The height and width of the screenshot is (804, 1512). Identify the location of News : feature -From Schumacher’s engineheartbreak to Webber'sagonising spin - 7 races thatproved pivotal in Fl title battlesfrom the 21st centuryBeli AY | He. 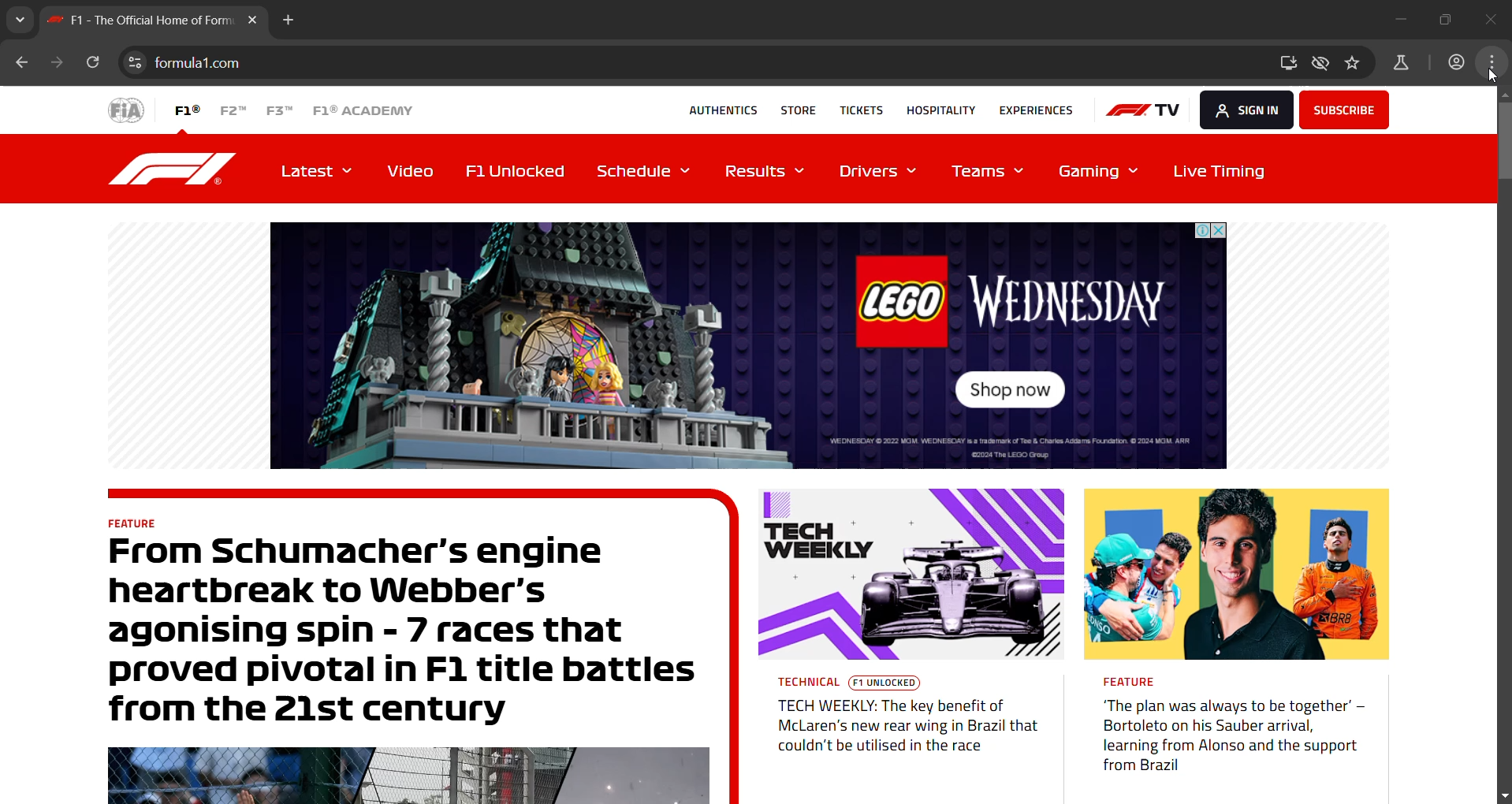
(424, 646).